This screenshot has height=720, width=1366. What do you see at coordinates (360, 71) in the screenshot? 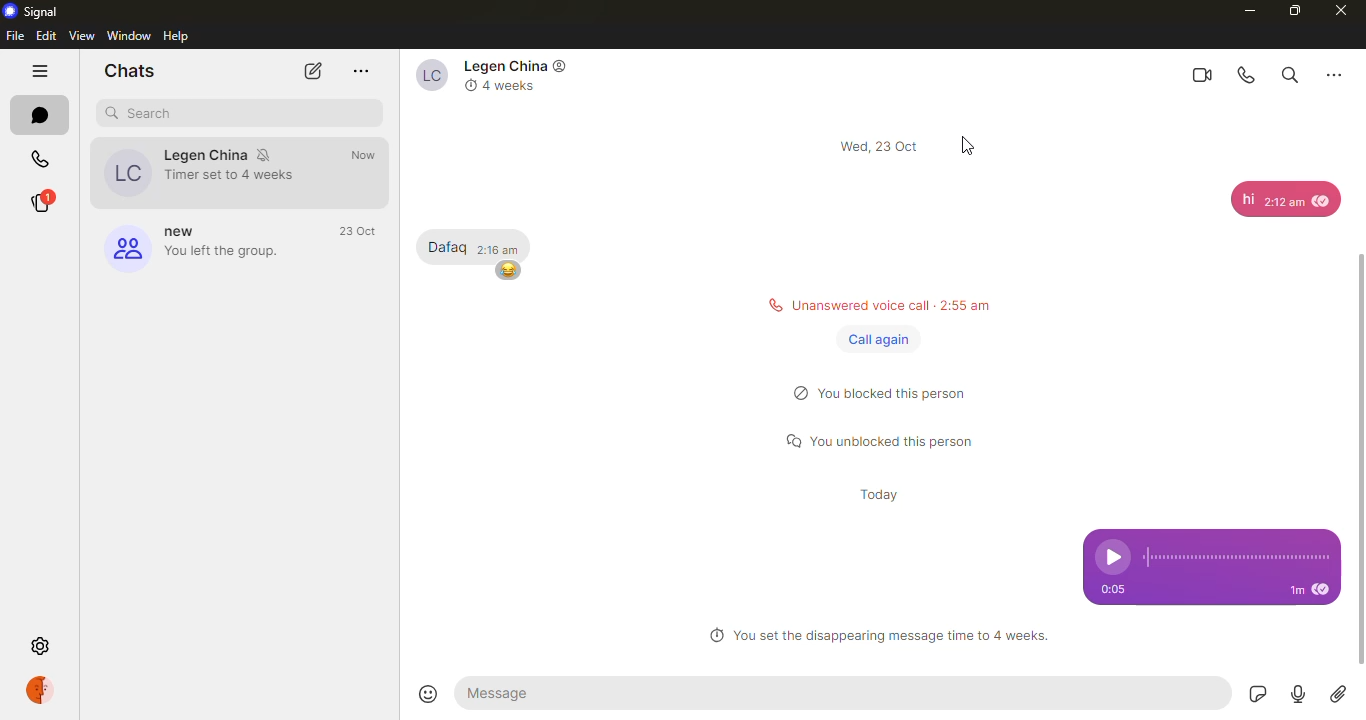
I see `more` at bounding box center [360, 71].